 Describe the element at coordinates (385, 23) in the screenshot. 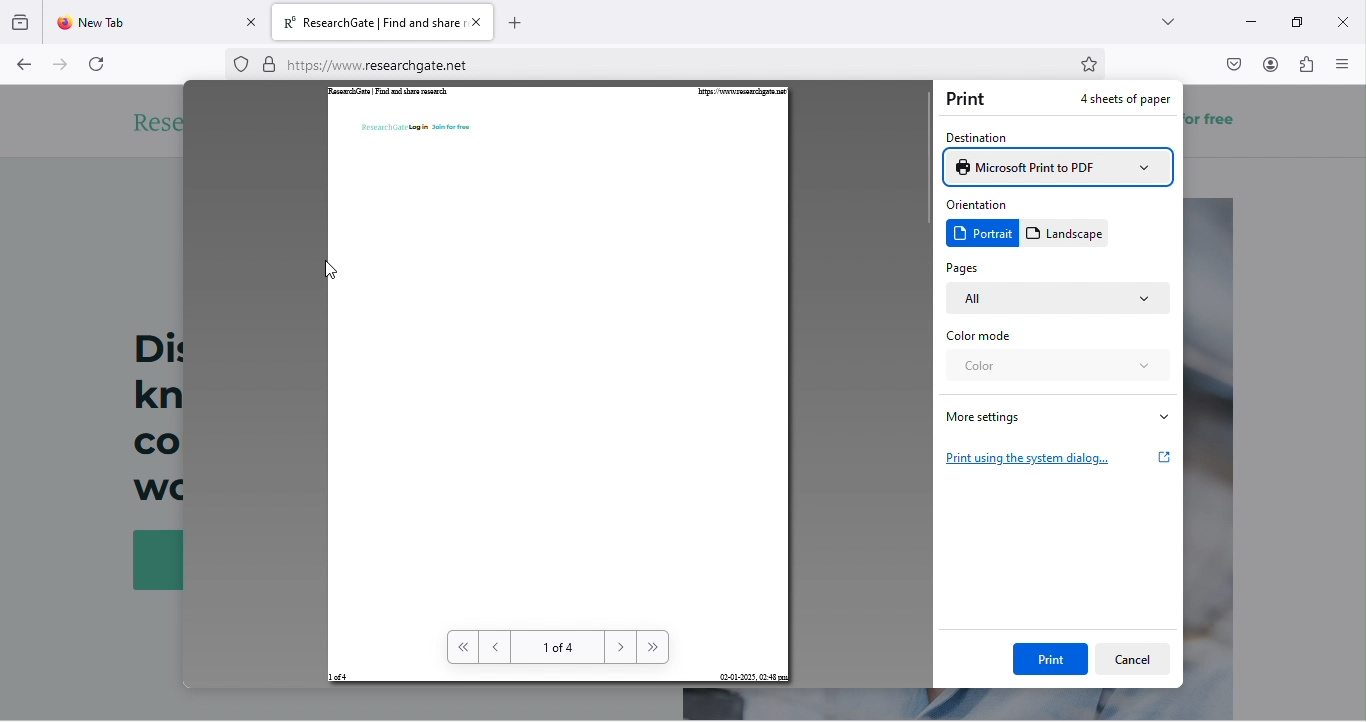

I see `title` at that location.